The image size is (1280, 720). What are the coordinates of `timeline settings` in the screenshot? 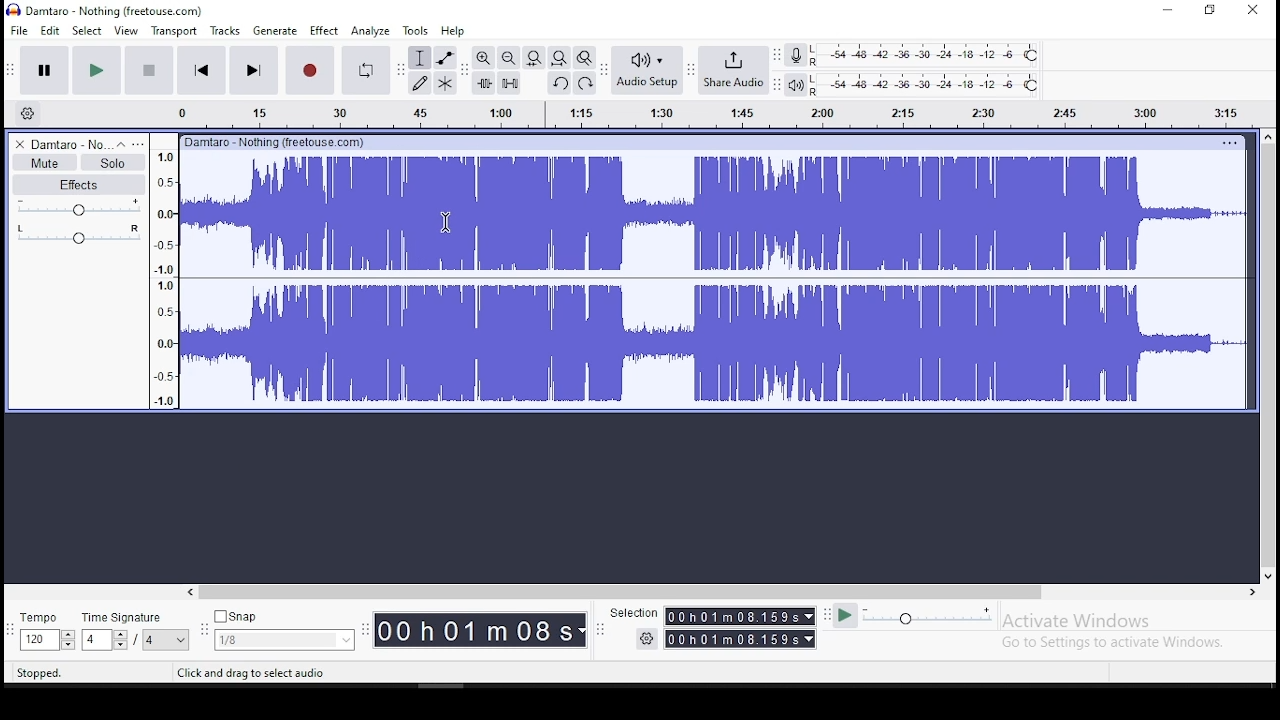 It's located at (27, 111).